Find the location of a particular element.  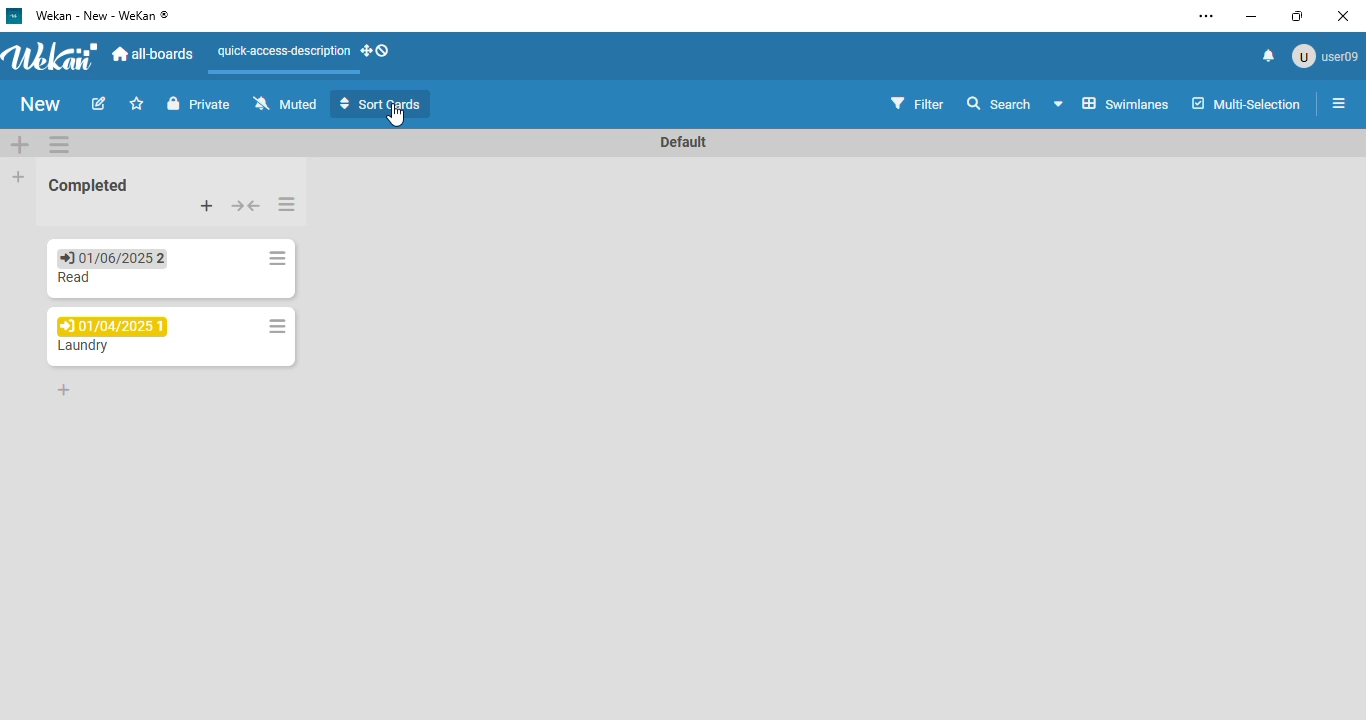

muted is located at coordinates (283, 102).